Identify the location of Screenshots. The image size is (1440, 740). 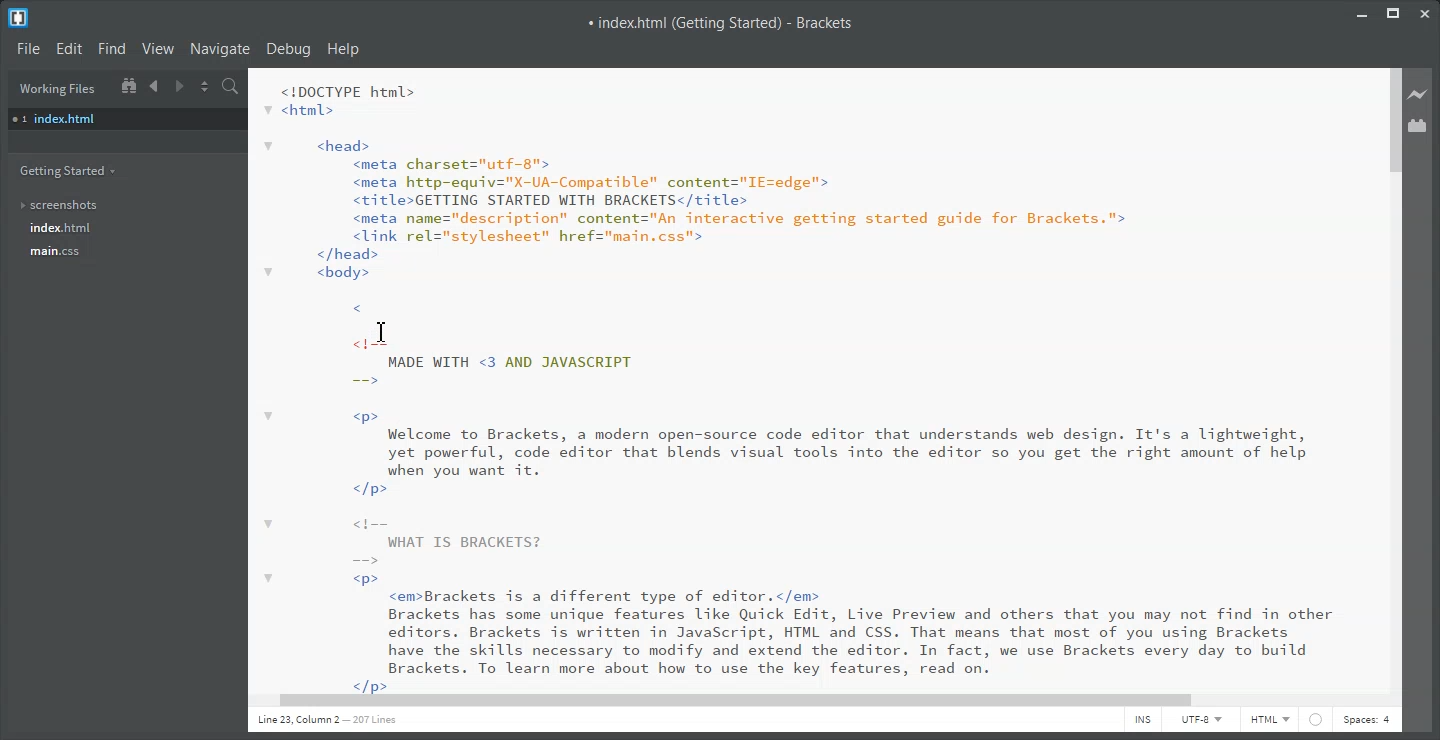
(60, 206).